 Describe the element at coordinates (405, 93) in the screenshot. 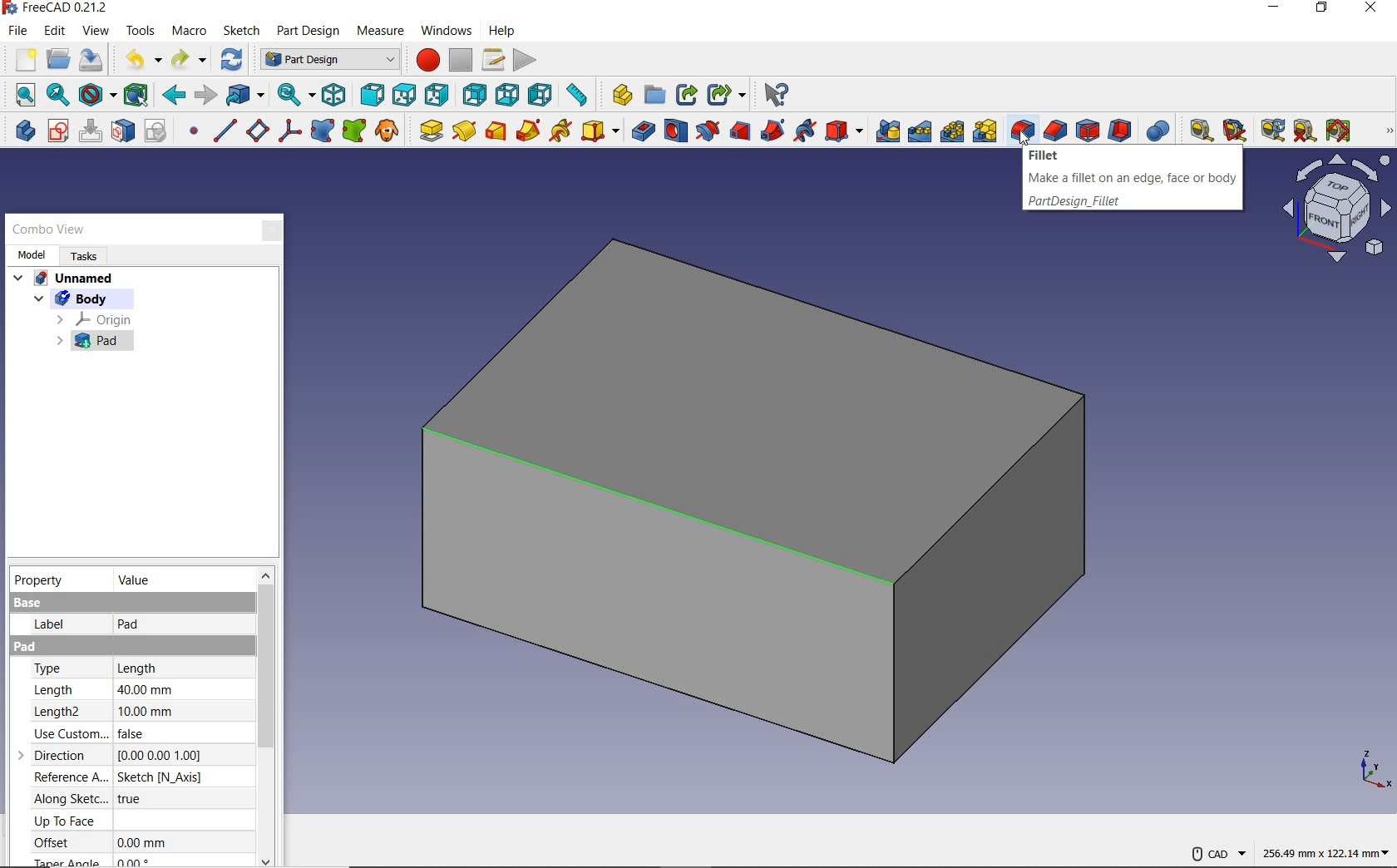

I see `top` at that location.